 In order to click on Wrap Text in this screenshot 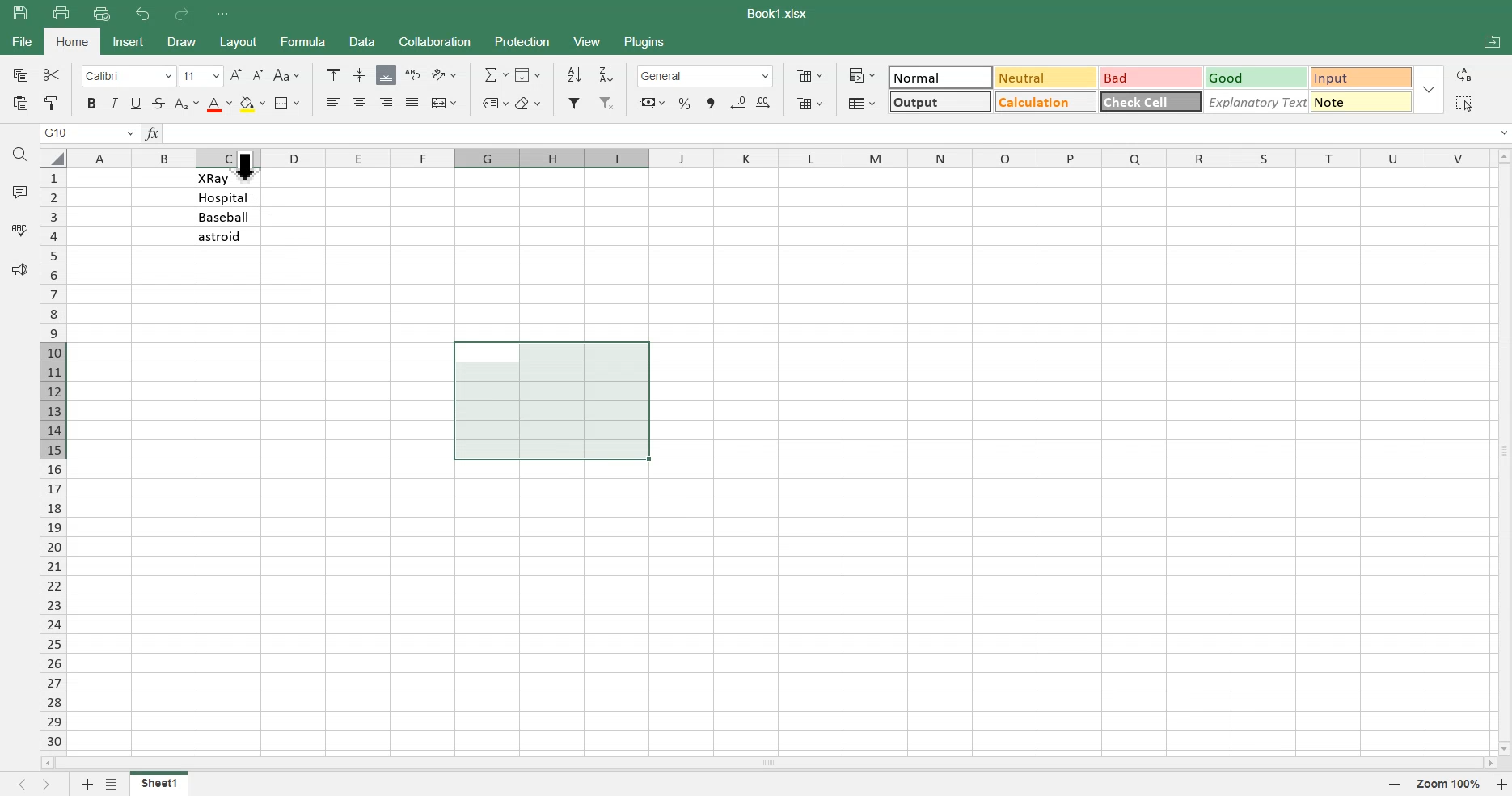, I will do `click(412, 74)`.